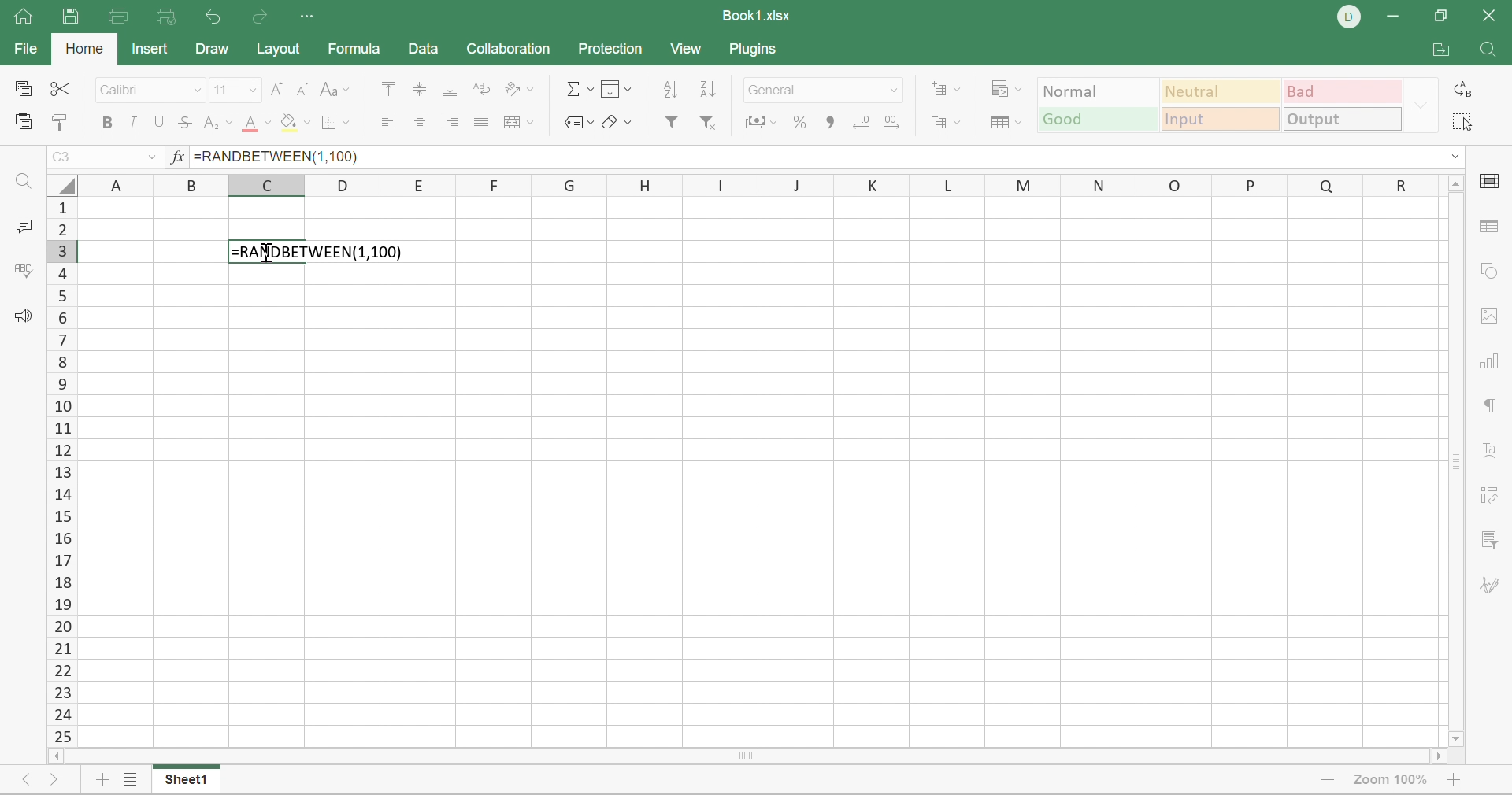 This screenshot has height=795, width=1512. I want to click on Bold, so click(108, 123).